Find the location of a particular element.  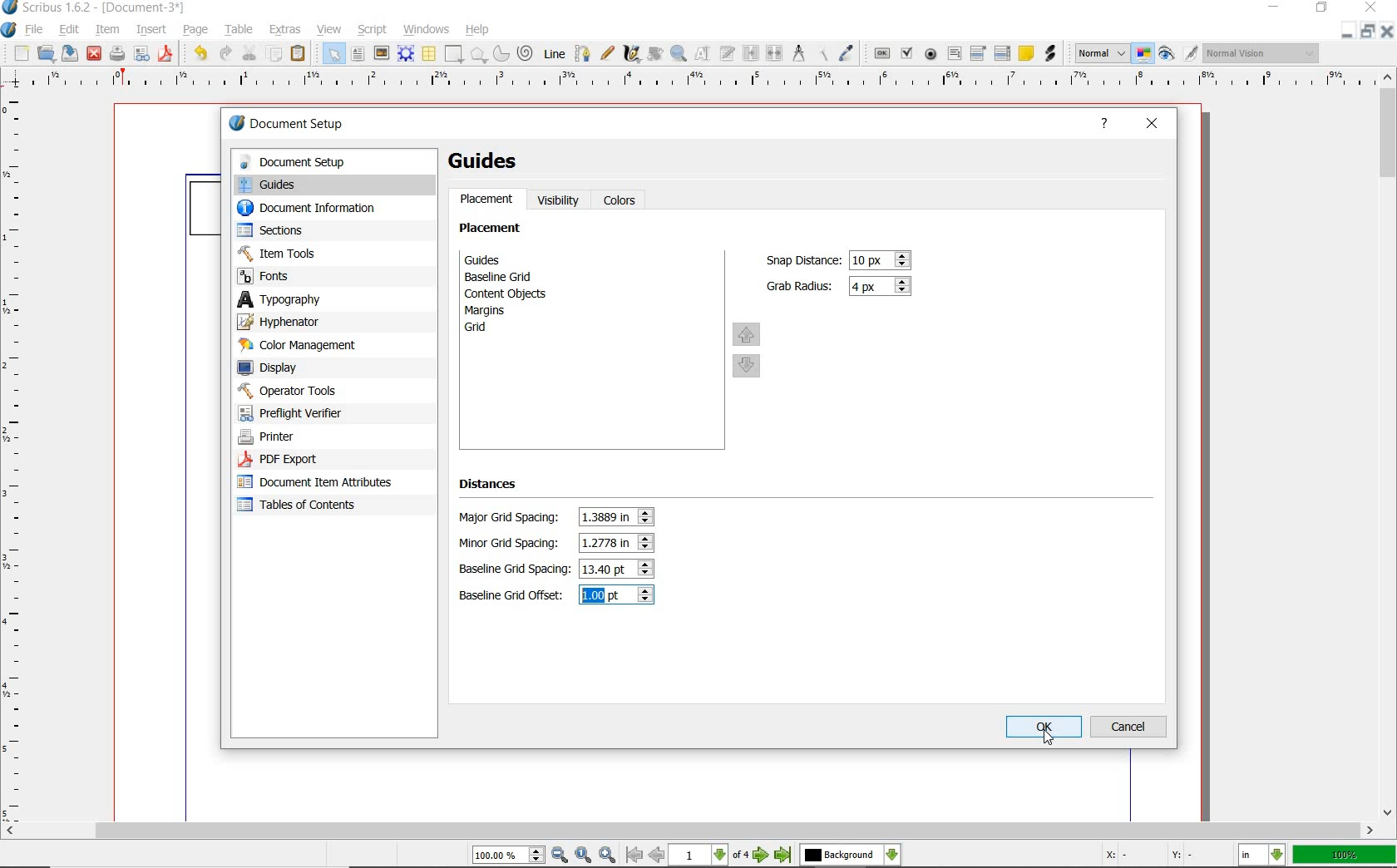

cut is located at coordinates (249, 53).